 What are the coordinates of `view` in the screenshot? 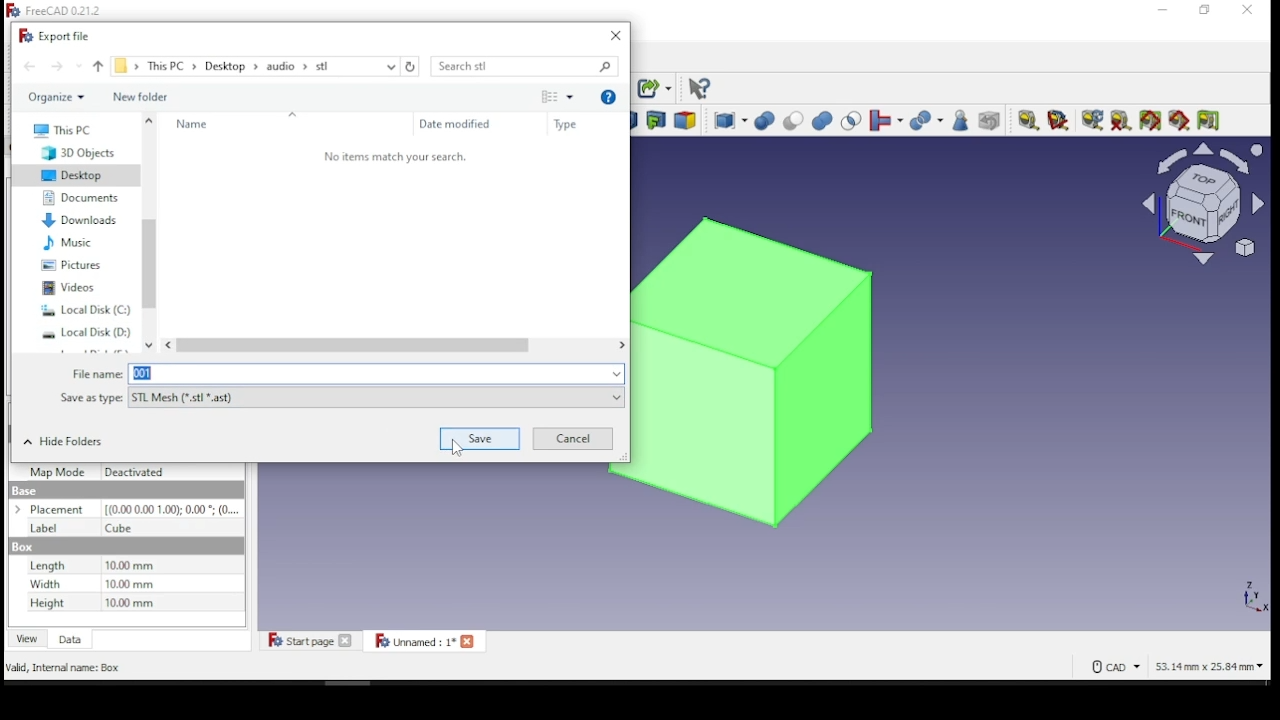 It's located at (28, 638).